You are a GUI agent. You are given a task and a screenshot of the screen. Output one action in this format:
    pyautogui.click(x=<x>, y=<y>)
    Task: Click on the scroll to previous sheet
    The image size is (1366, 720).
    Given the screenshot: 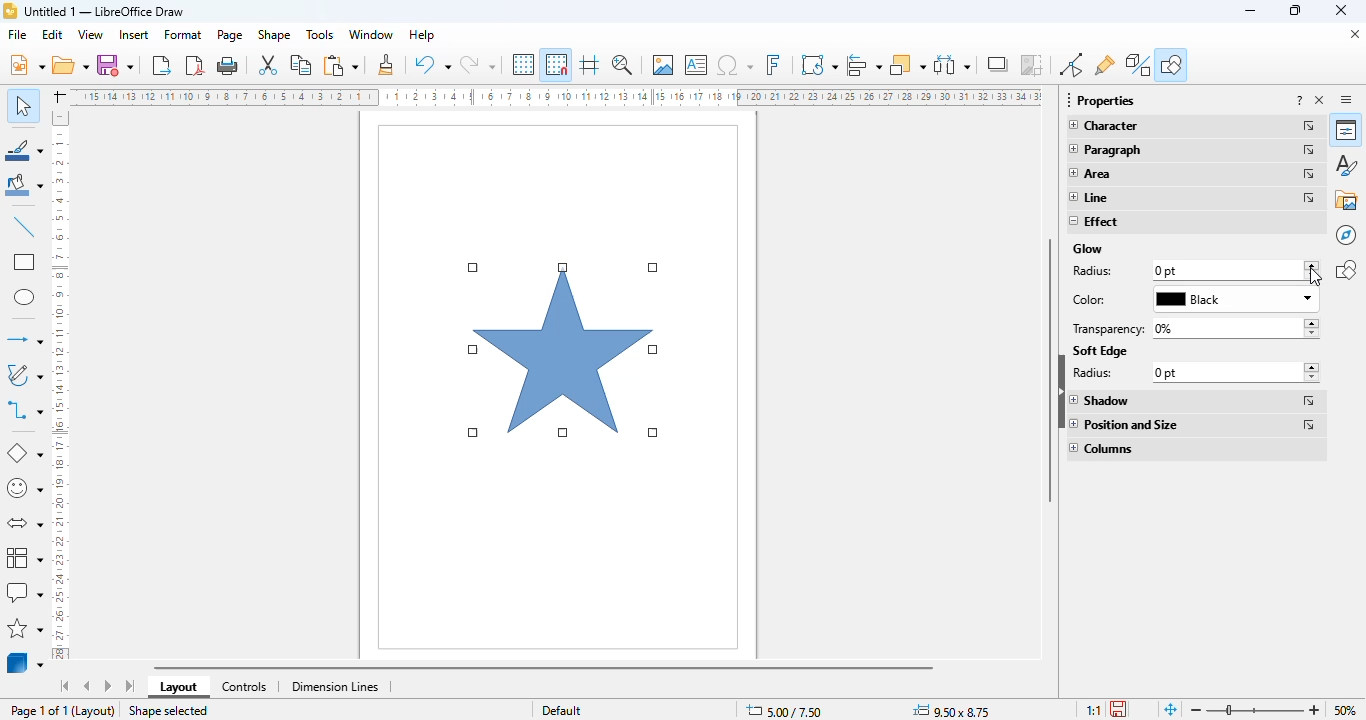 What is the action you would take?
    pyautogui.click(x=87, y=686)
    